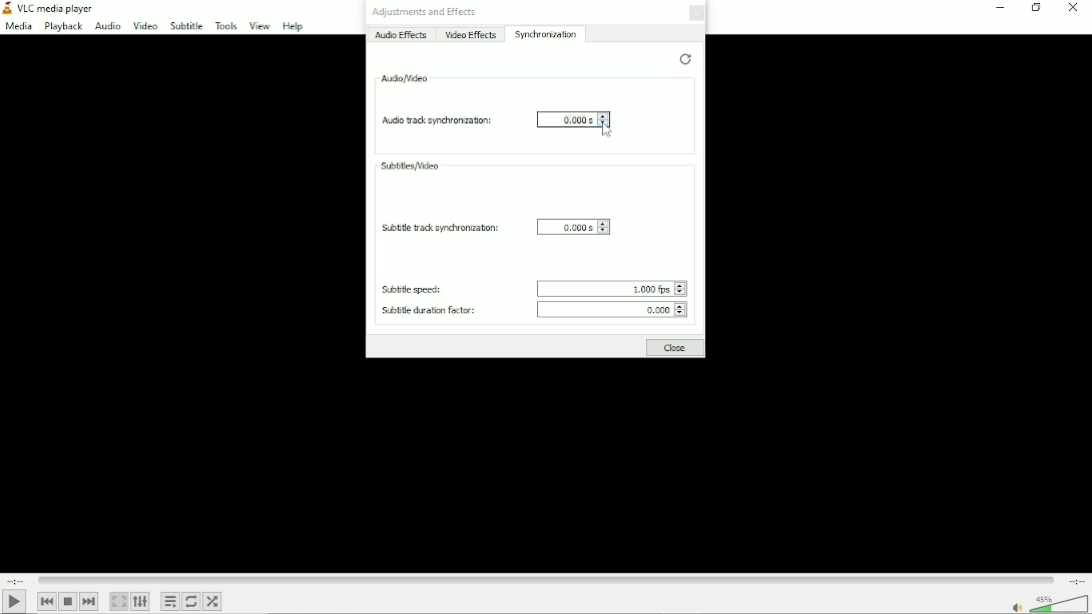  Describe the element at coordinates (17, 579) in the screenshot. I see `Elapsed time` at that location.